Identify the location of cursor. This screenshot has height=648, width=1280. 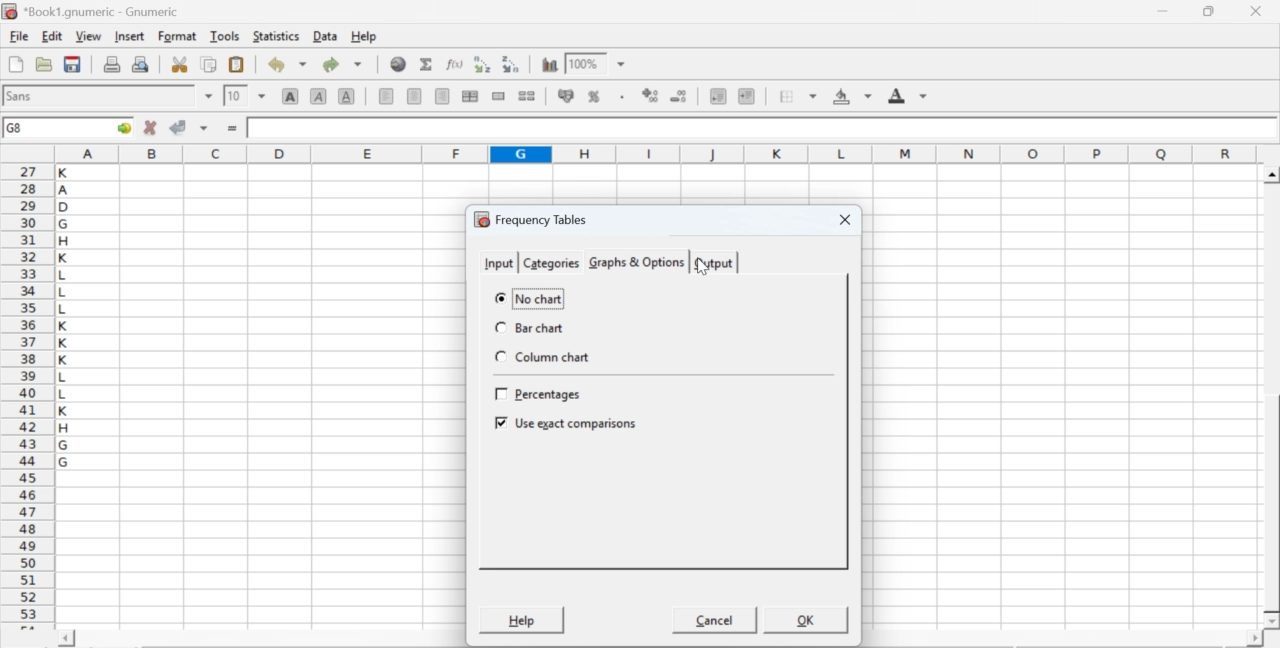
(703, 267).